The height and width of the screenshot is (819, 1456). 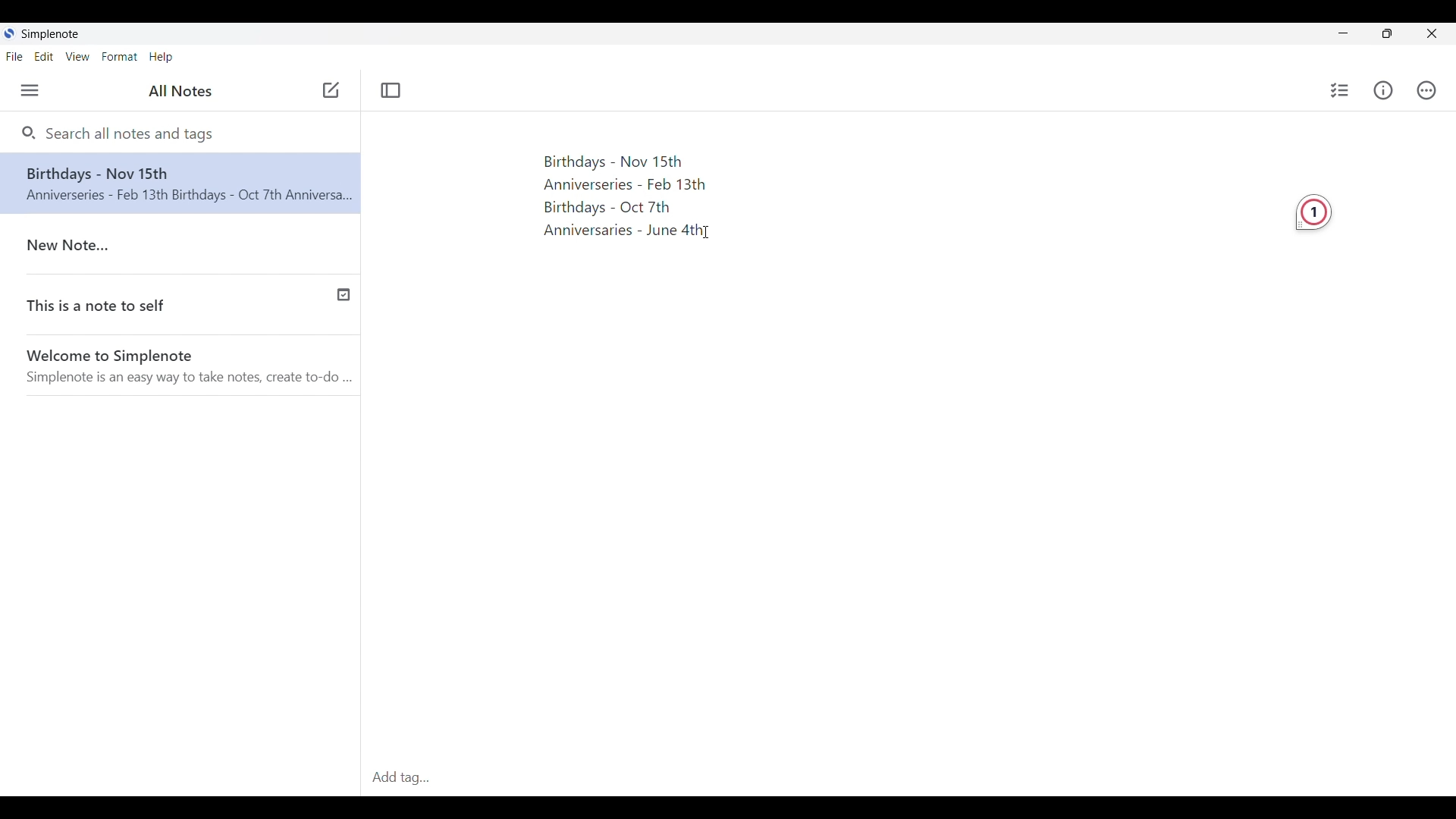 What do you see at coordinates (161, 58) in the screenshot?
I see `Help menu` at bounding box center [161, 58].